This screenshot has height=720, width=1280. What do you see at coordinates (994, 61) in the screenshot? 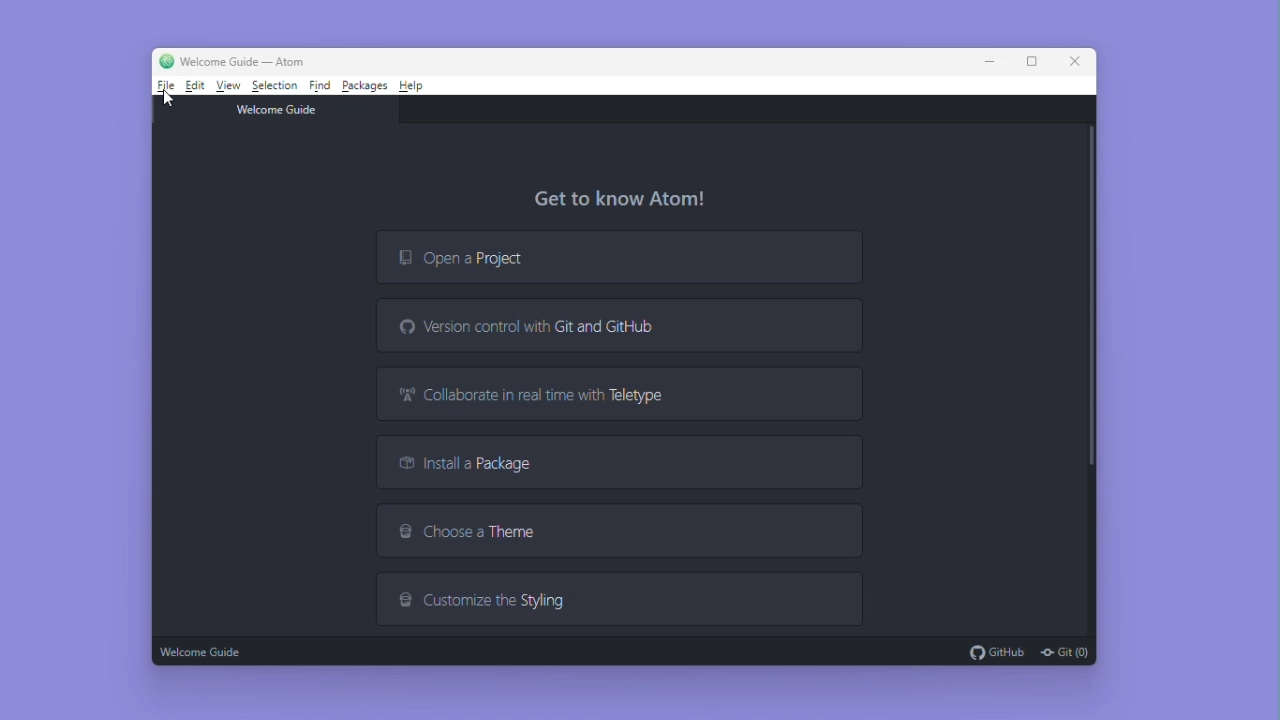
I see `Minimise` at bounding box center [994, 61].